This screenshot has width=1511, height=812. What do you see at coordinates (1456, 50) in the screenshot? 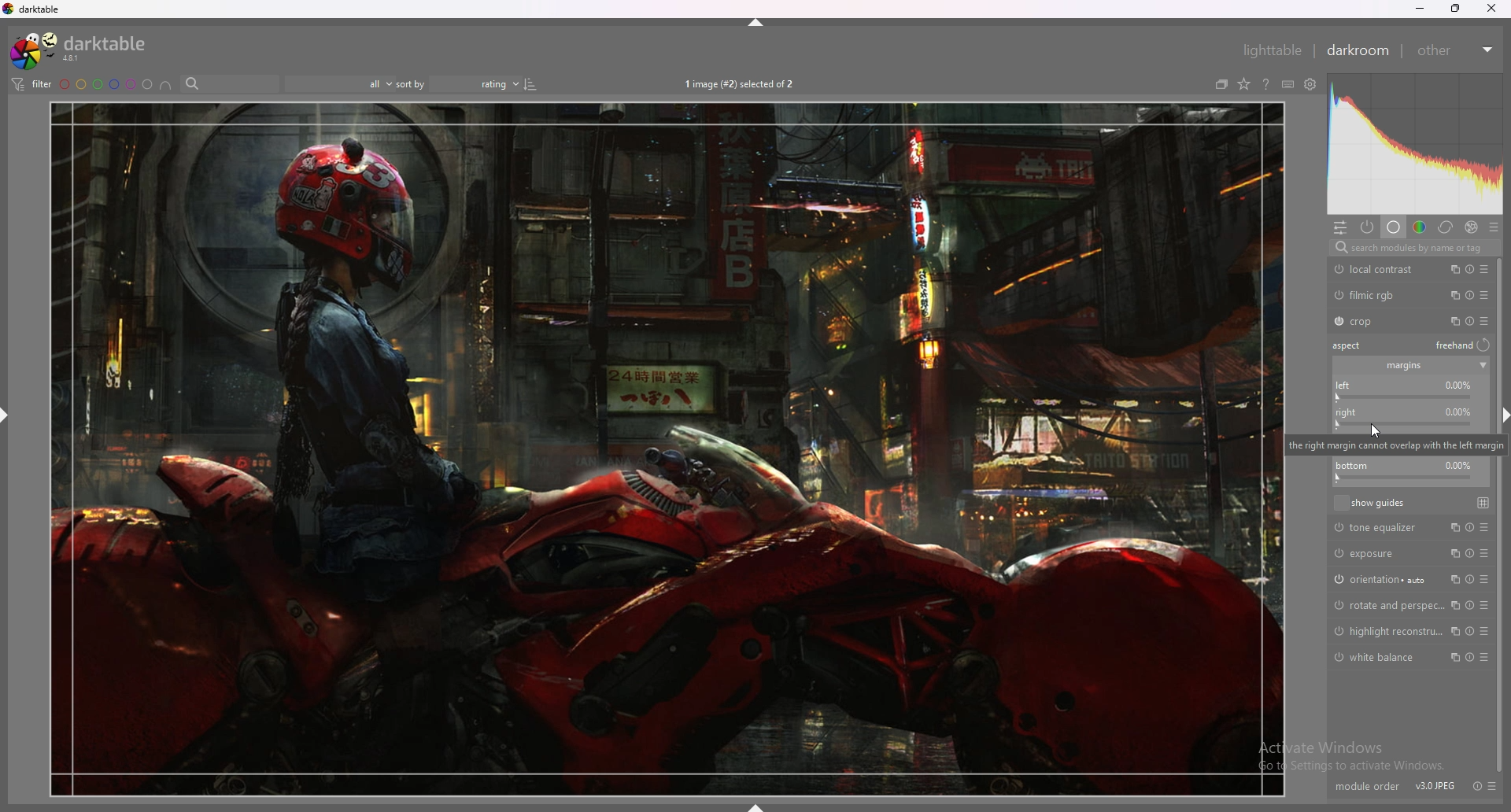
I see `other` at bounding box center [1456, 50].